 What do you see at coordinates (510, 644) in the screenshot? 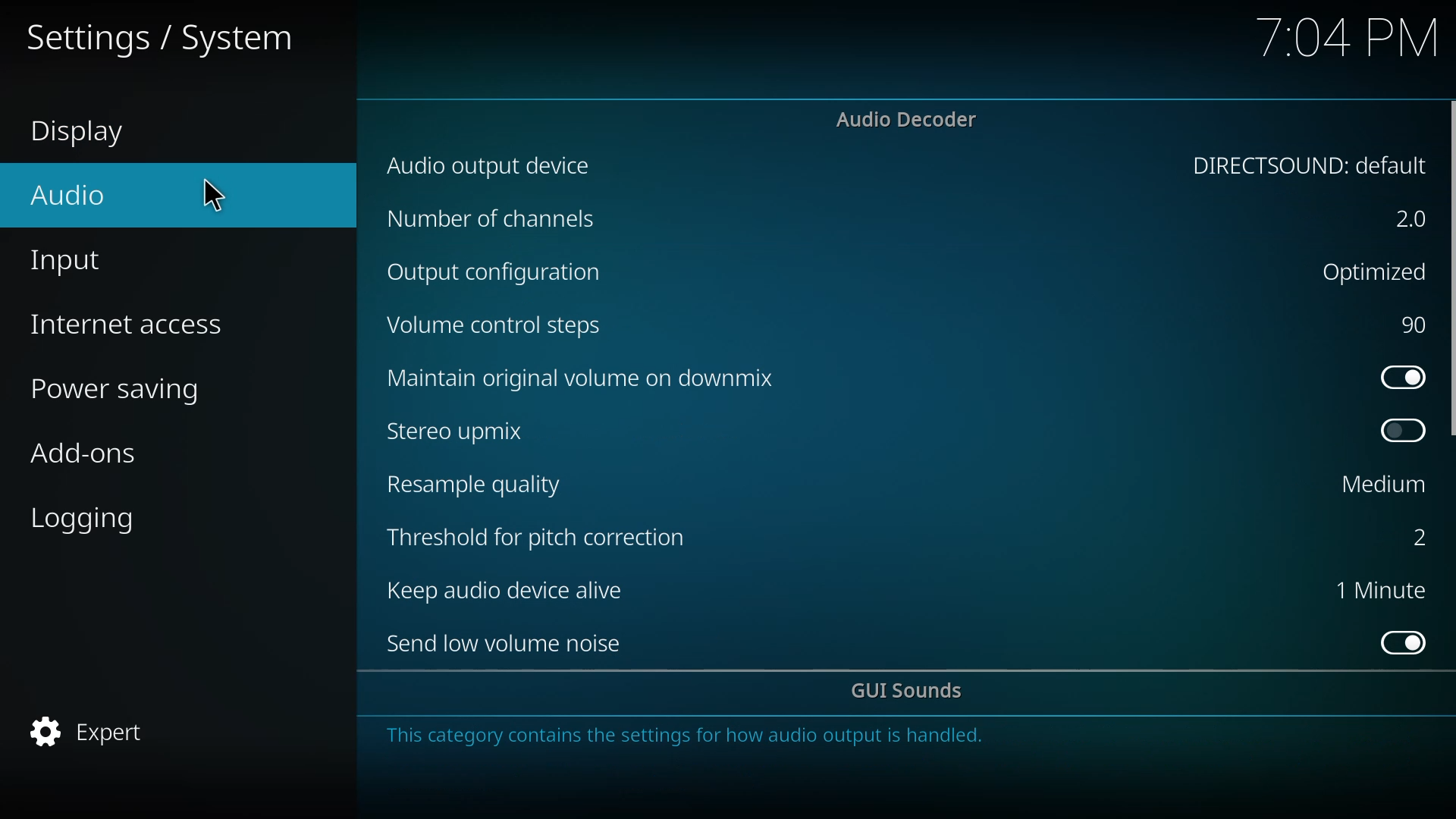
I see `send low volume noise` at bounding box center [510, 644].